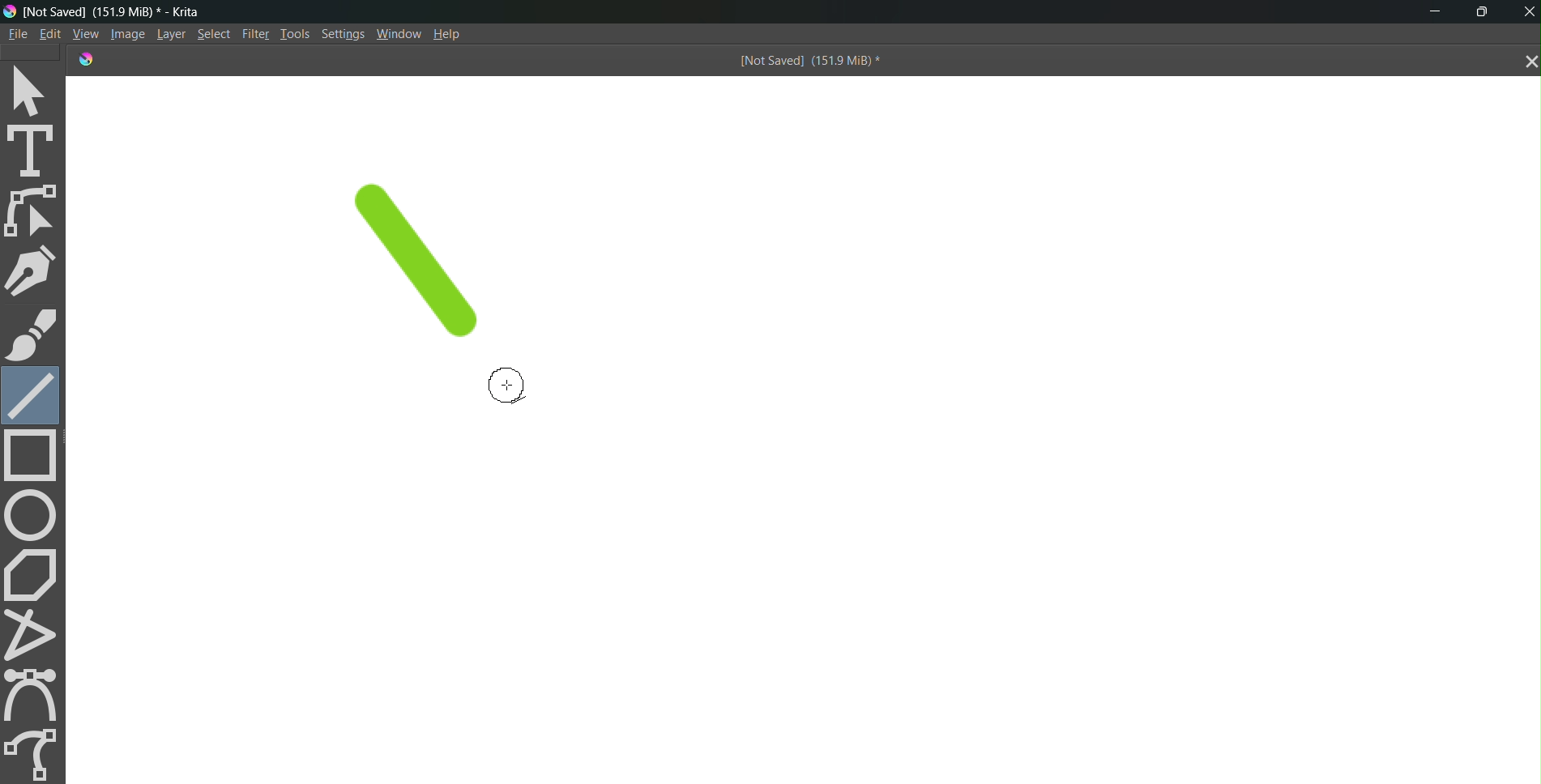  I want to click on polygon, so click(34, 573).